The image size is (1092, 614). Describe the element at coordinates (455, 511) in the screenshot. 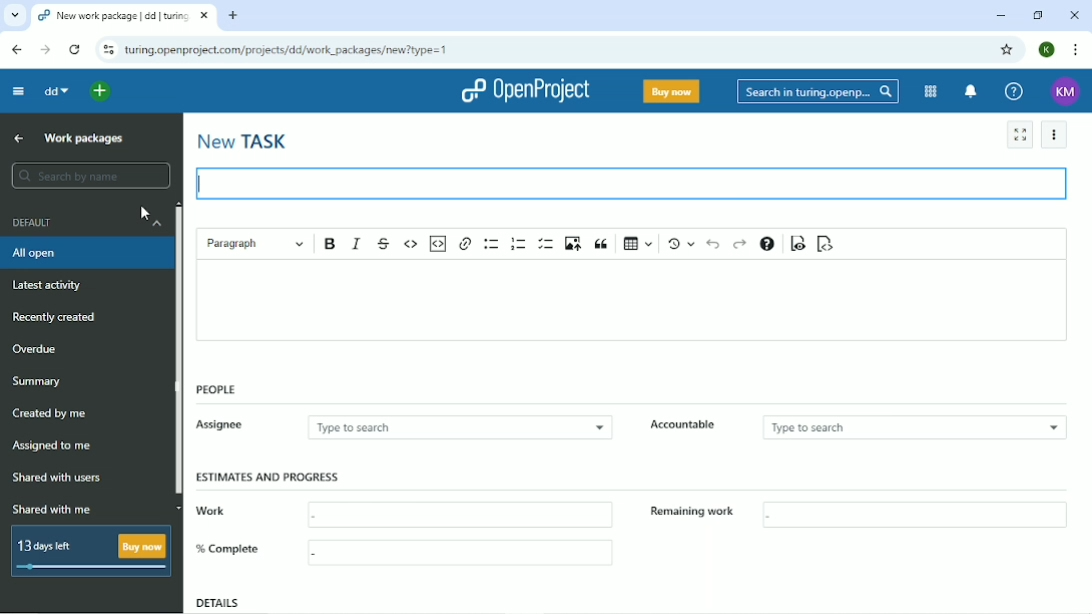

I see `box` at that location.